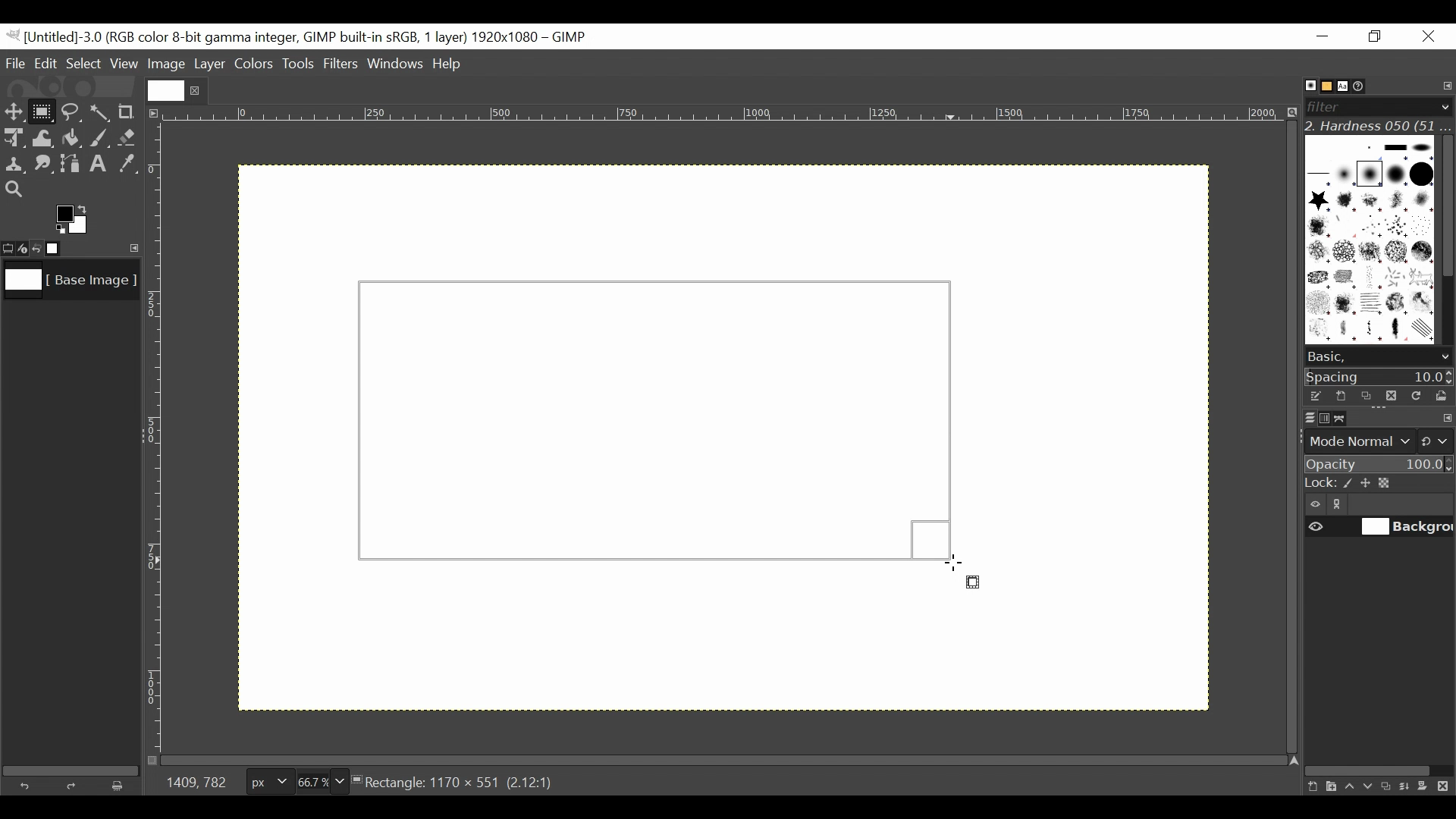  I want to click on Create a new brush , so click(1340, 396).